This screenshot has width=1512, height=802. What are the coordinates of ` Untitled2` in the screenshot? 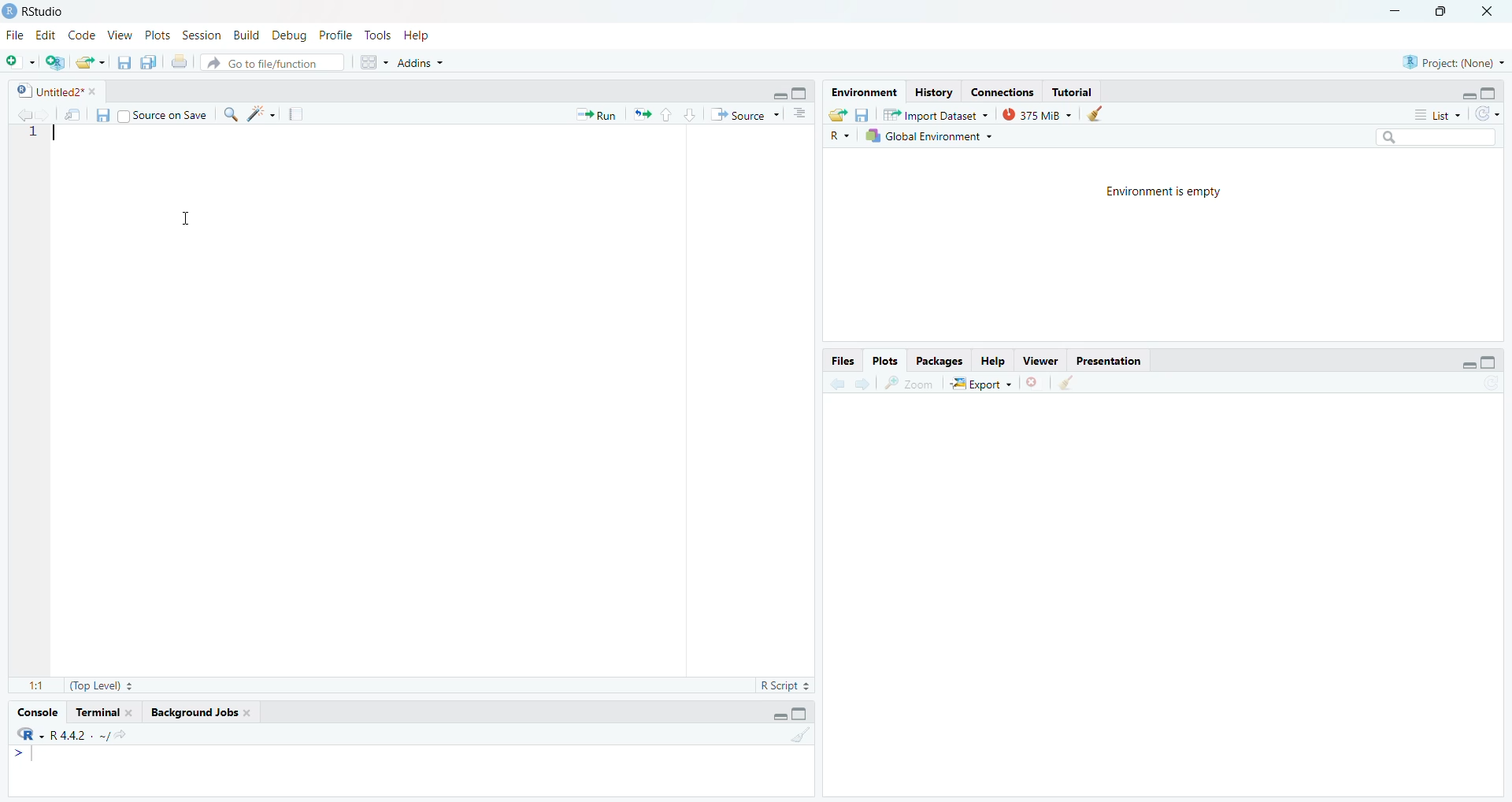 It's located at (69, 91).